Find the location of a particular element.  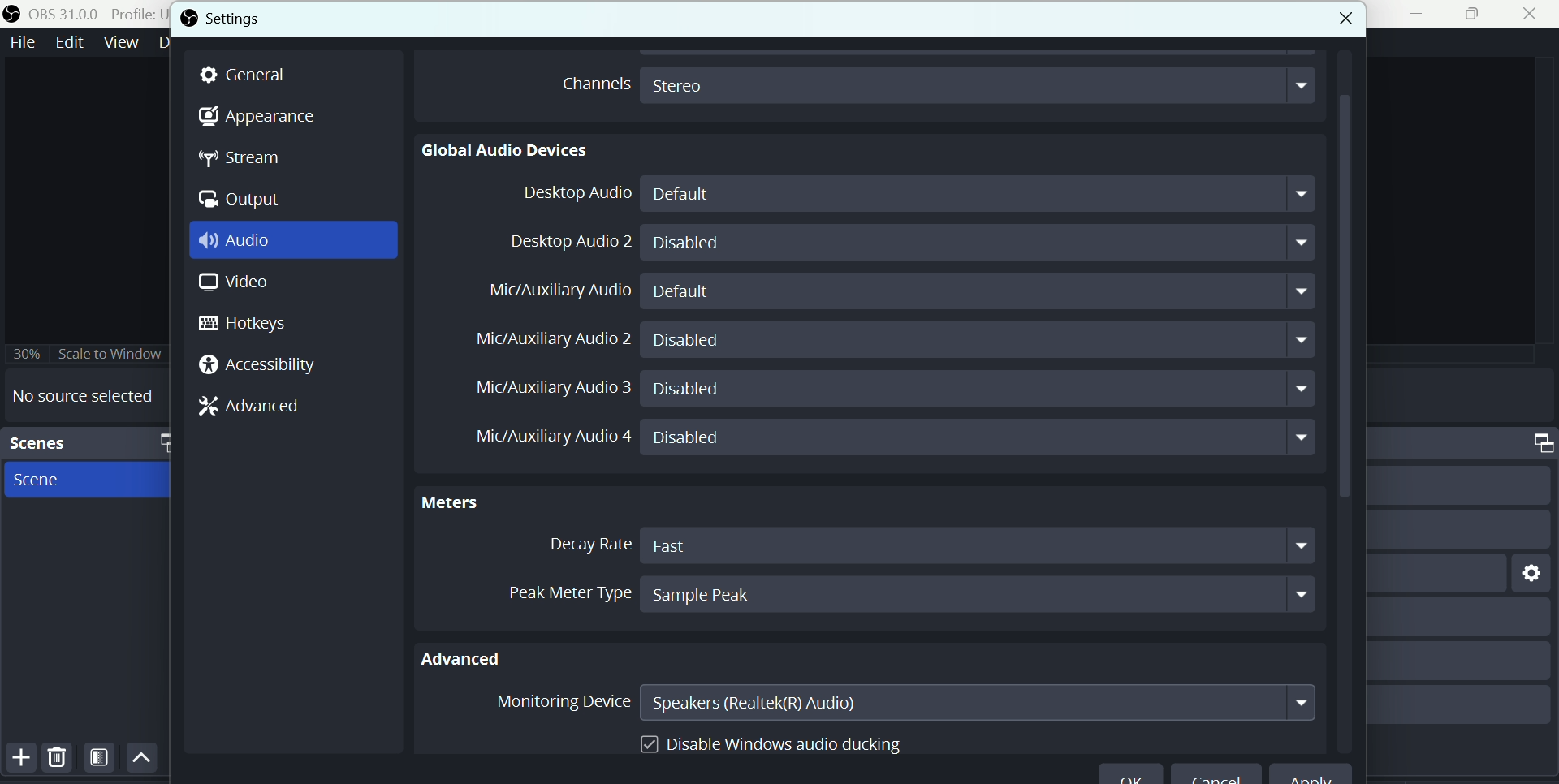

vertical scrollbar is located at coordinates (1345, 403).